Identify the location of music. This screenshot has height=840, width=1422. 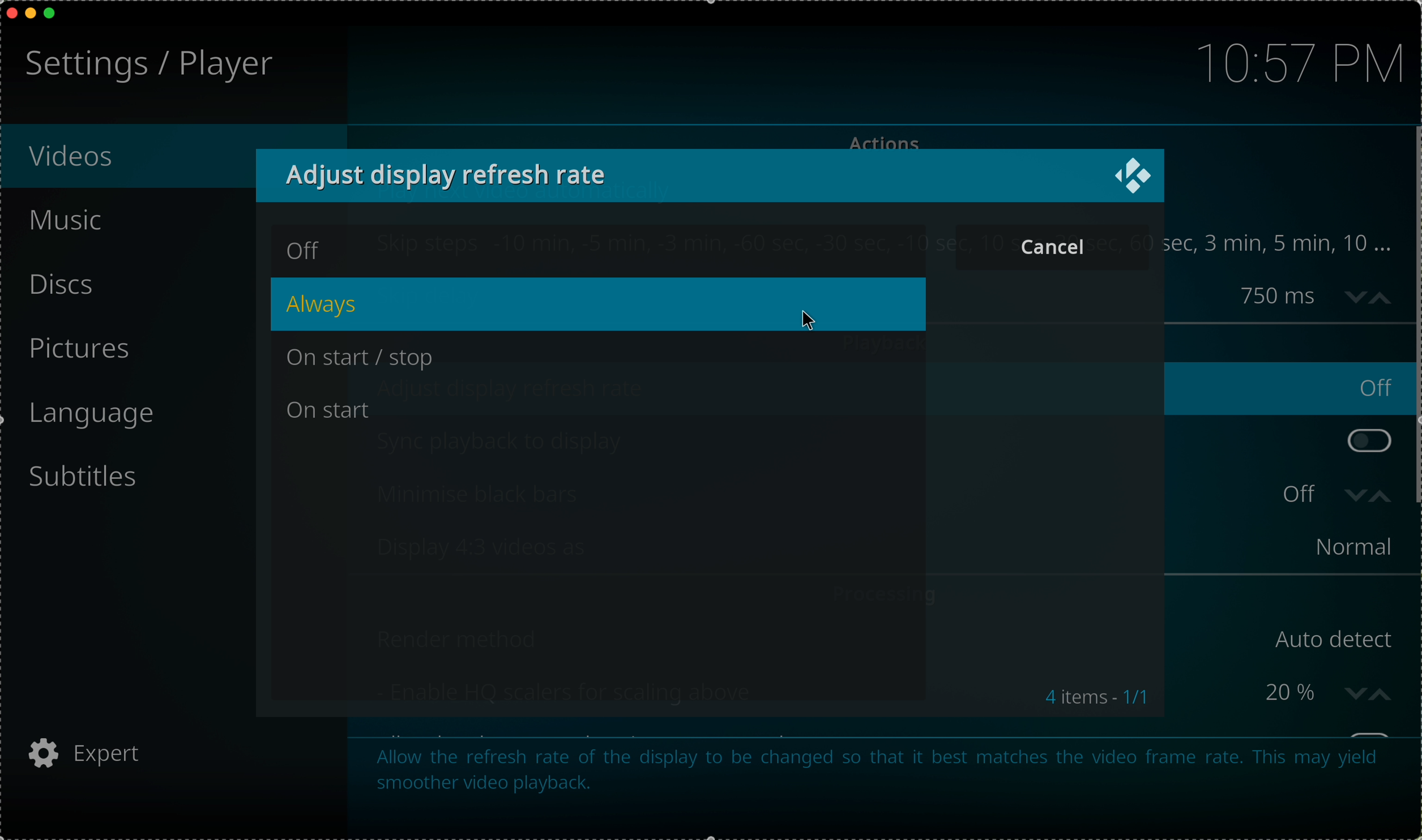
(69, 220).